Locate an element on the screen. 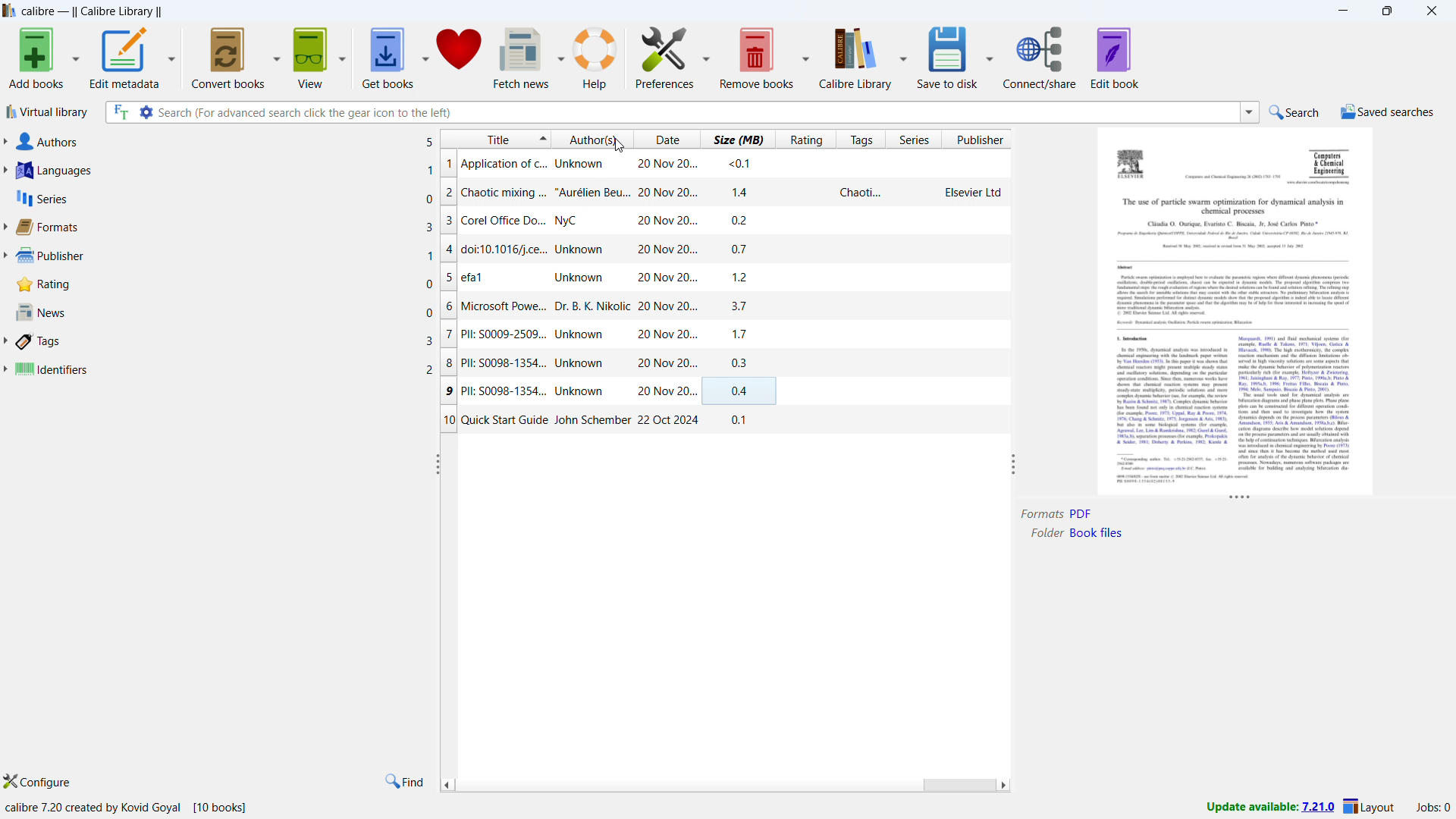 The width and height of the screenshot is (1456, 819). sort by ratings is located at coordinates (804, 140).